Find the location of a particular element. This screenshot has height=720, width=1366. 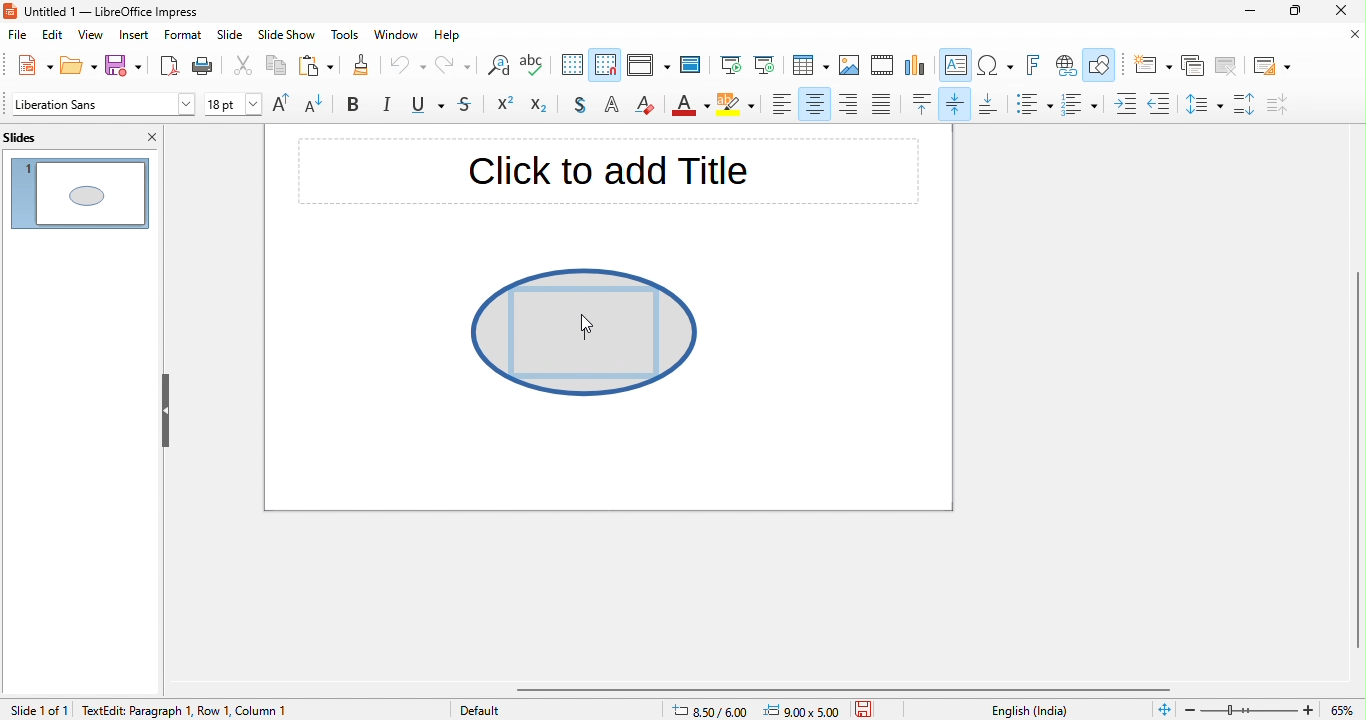

slides is located at coordinates (38, 136).